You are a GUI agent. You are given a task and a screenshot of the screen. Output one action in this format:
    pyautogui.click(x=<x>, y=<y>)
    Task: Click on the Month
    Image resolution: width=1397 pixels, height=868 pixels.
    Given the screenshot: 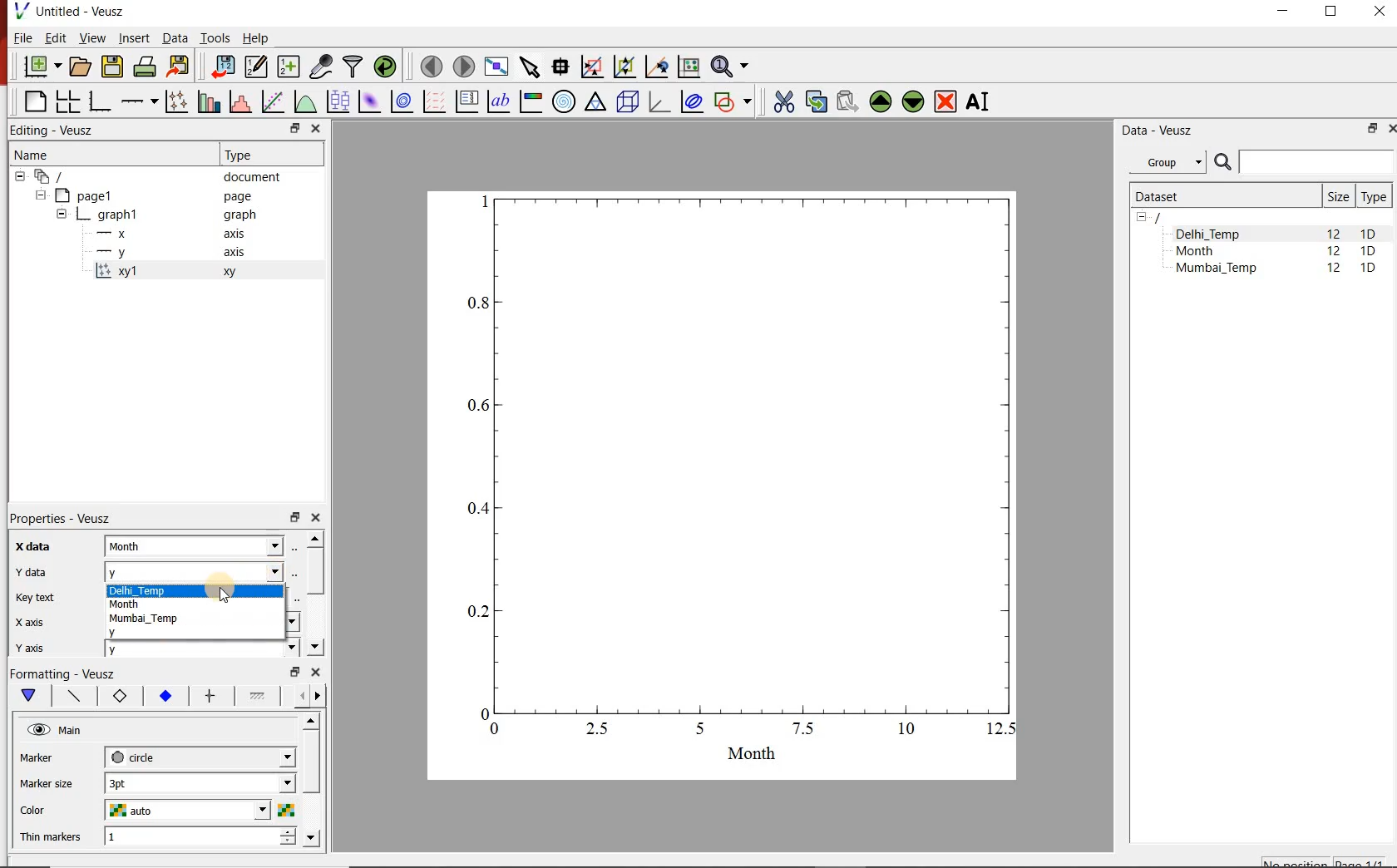 What is the action you would take?
    pyautogui.click(x=127, y=604)
    